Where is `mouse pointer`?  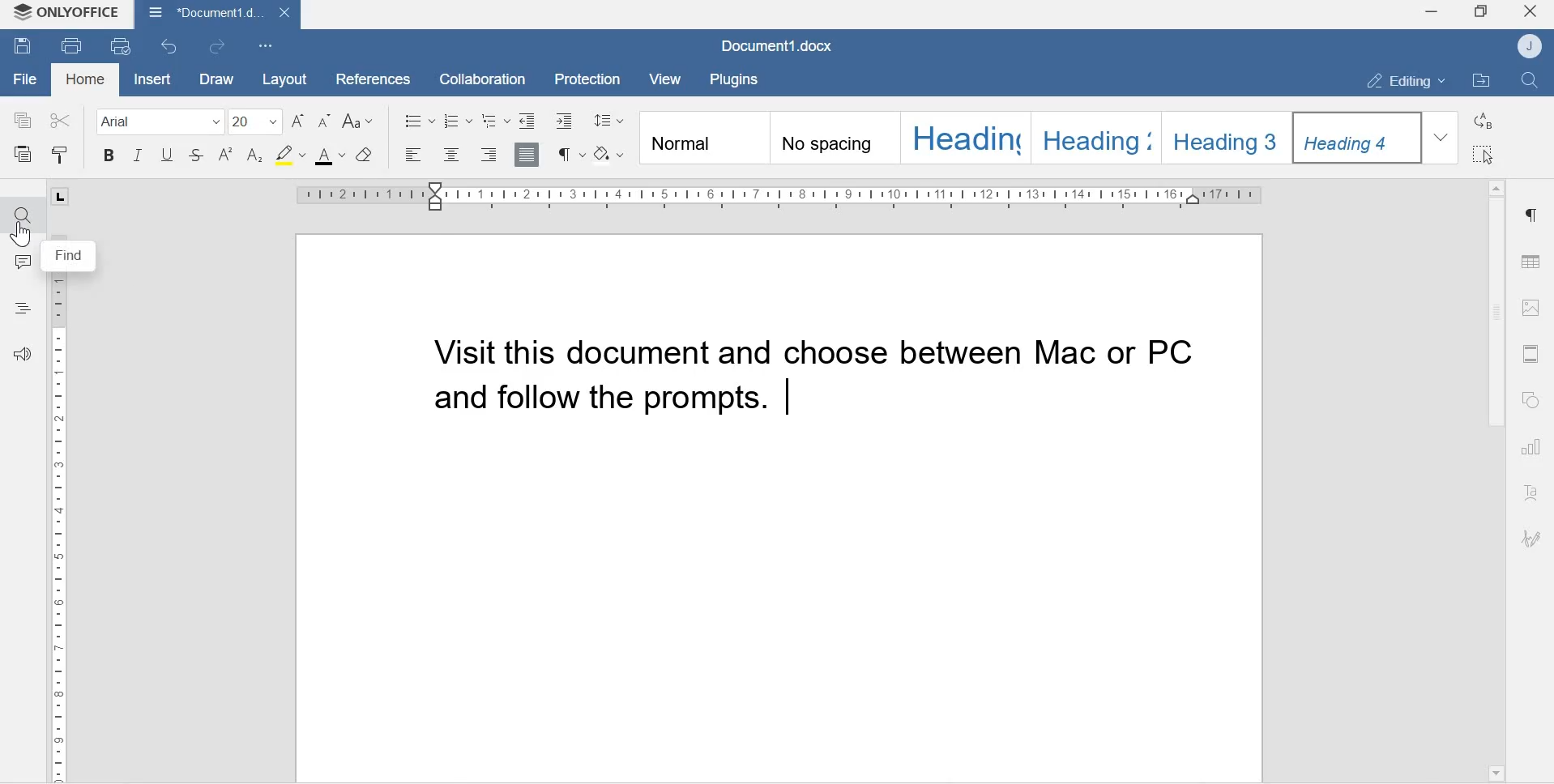
mouse pointer is located at coordinates (19, 237).